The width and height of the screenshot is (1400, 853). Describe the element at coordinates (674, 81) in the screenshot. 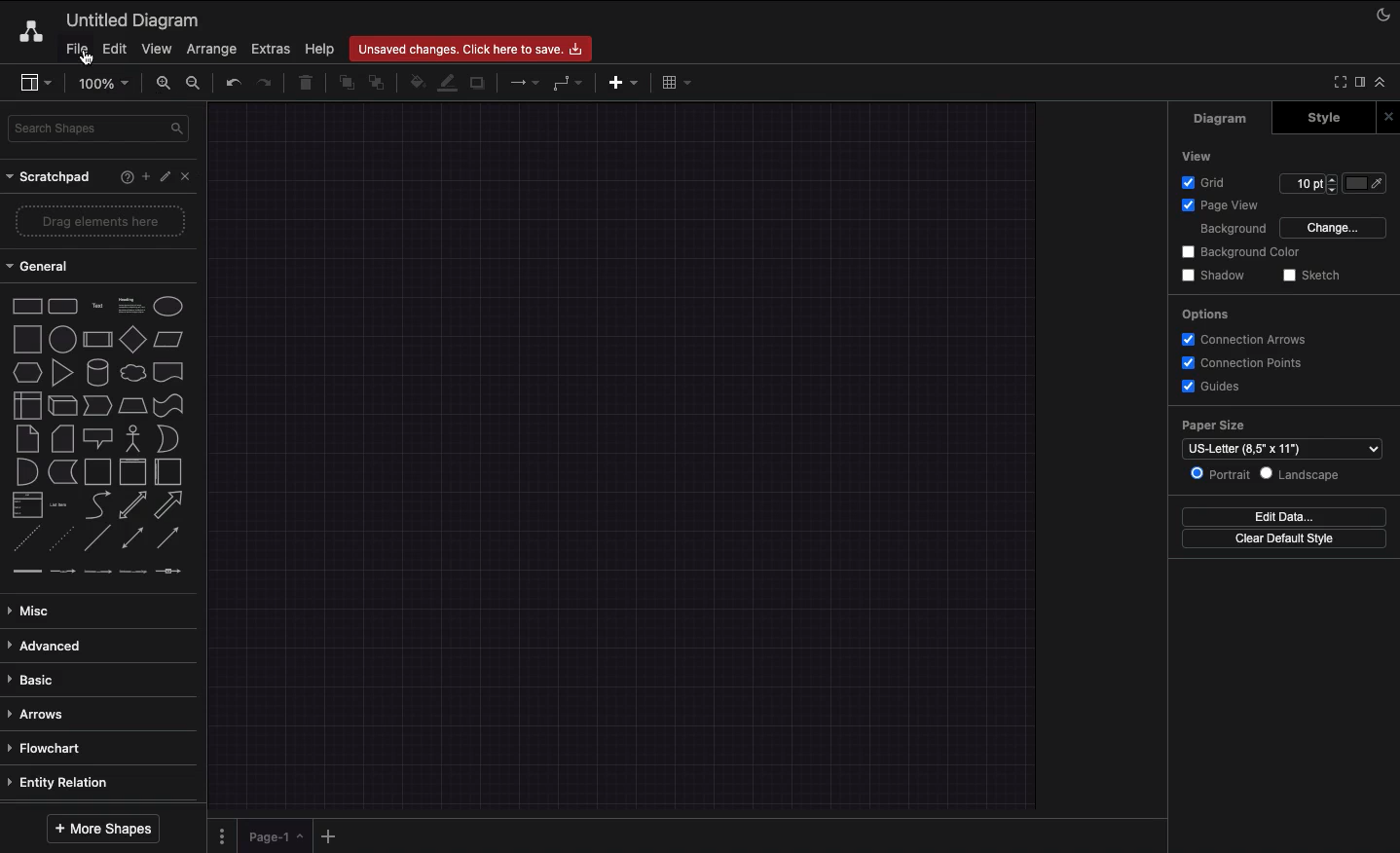

I see `Table` at that location.